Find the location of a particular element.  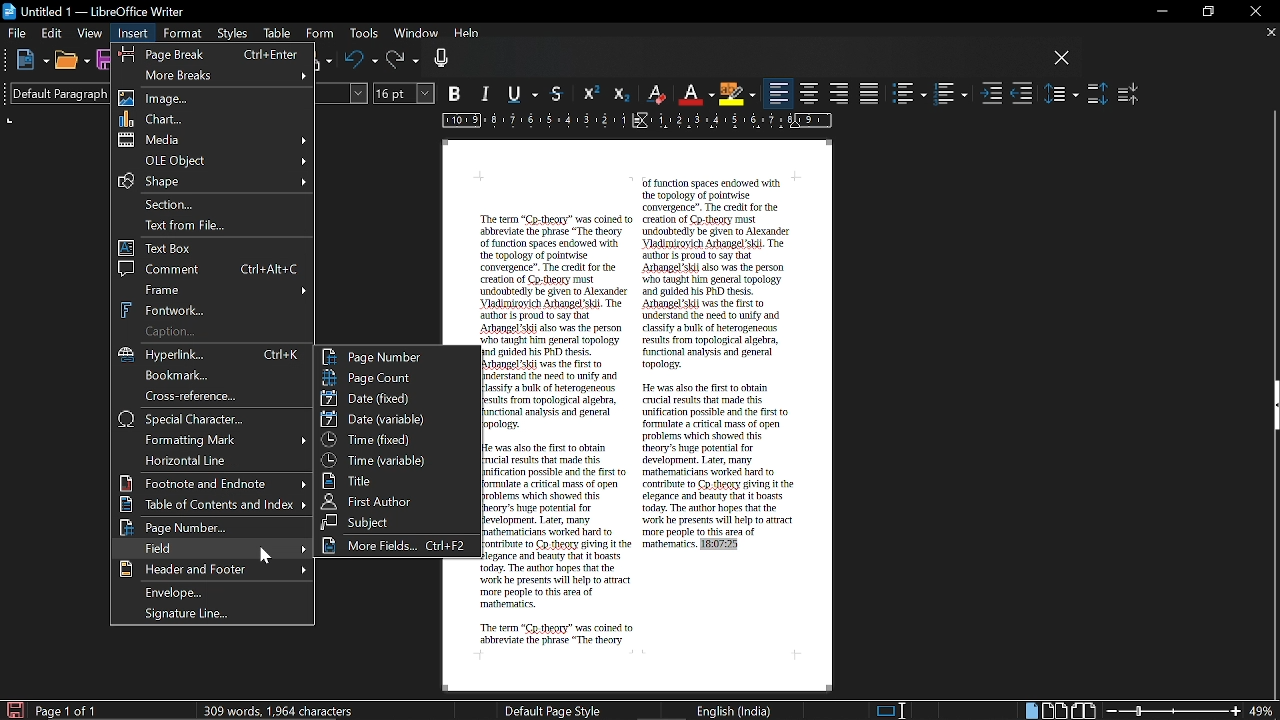

Insert is located at coordinates (134, 34).